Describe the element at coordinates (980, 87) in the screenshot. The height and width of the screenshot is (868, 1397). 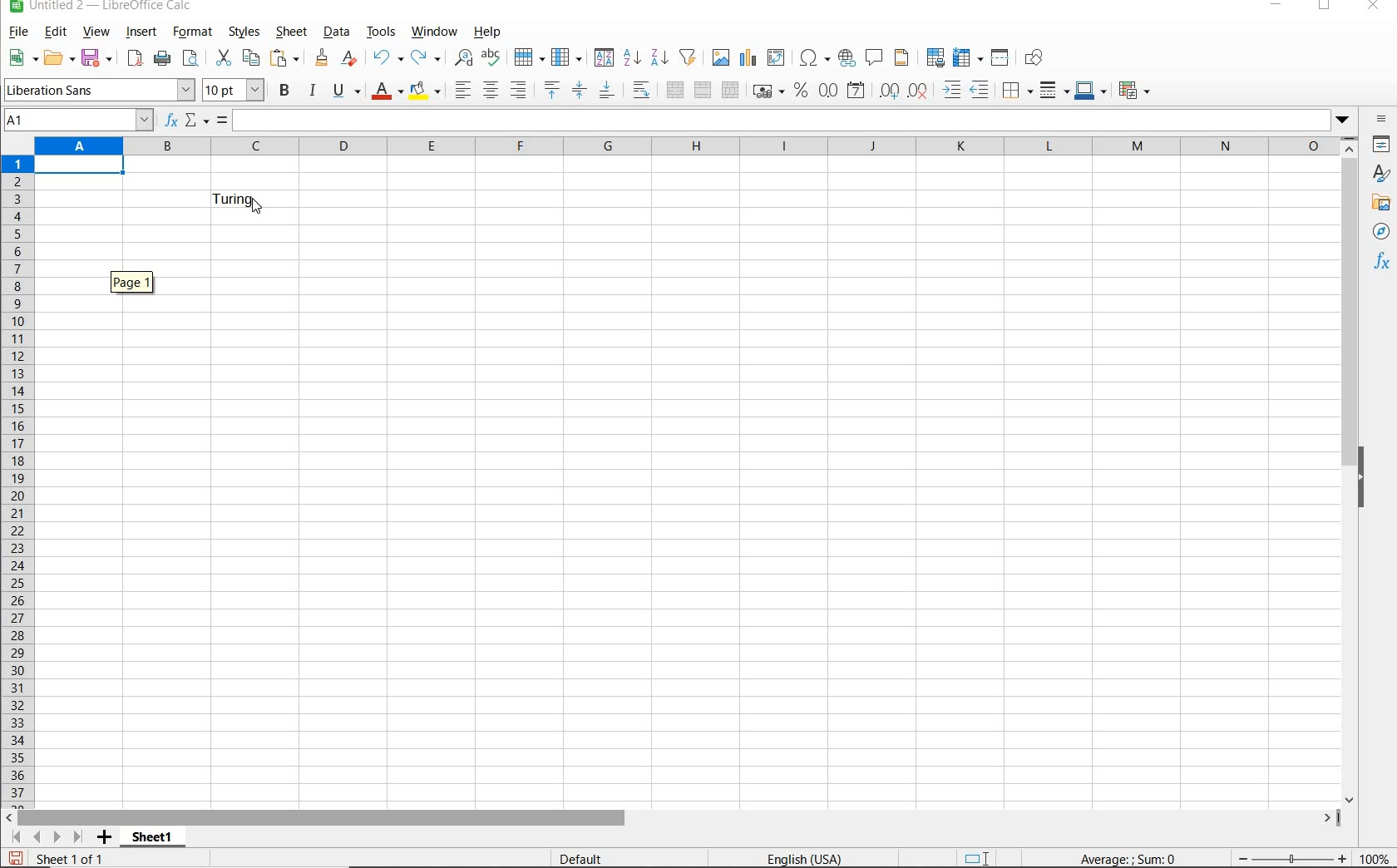
I see `DECREASE INDENT` at that location.